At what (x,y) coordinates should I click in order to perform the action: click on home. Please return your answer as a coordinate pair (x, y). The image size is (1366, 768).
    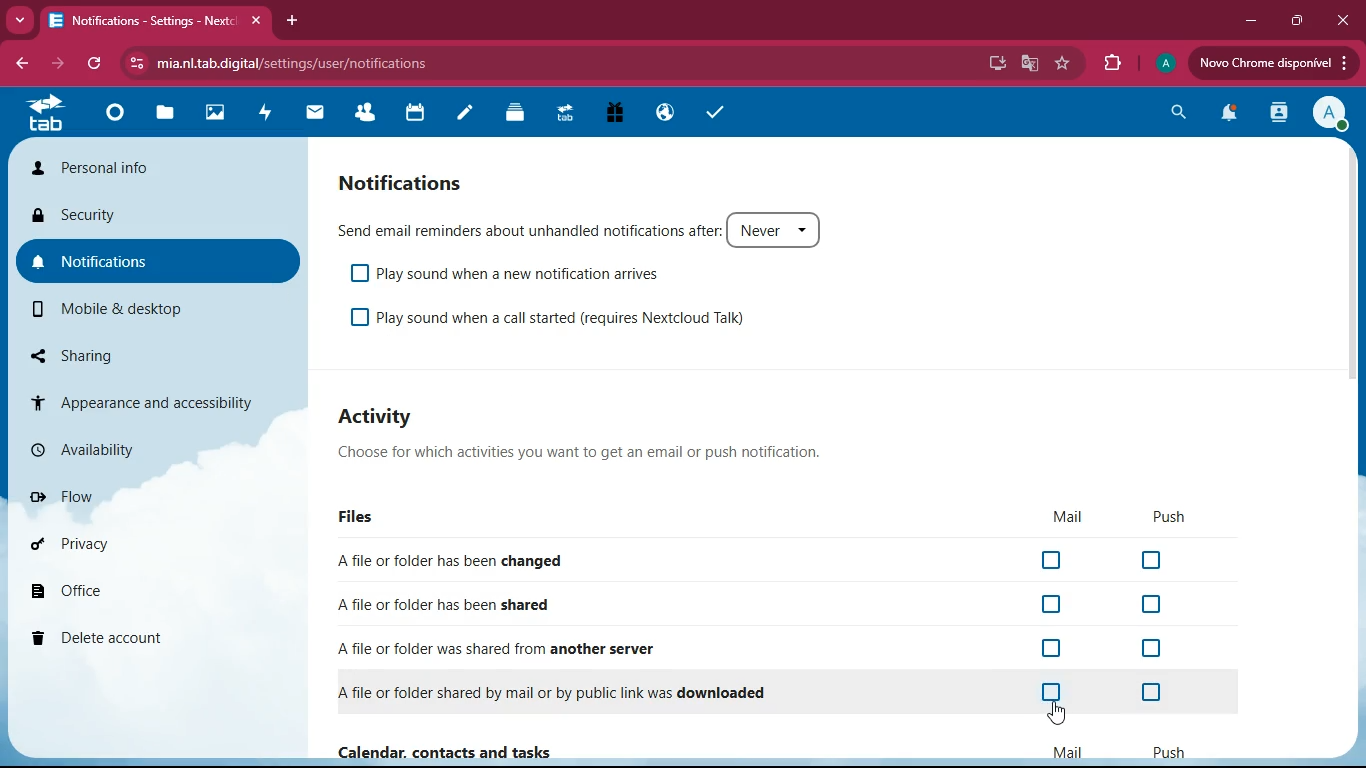
    Looking at the image, I should click on (108, 118).